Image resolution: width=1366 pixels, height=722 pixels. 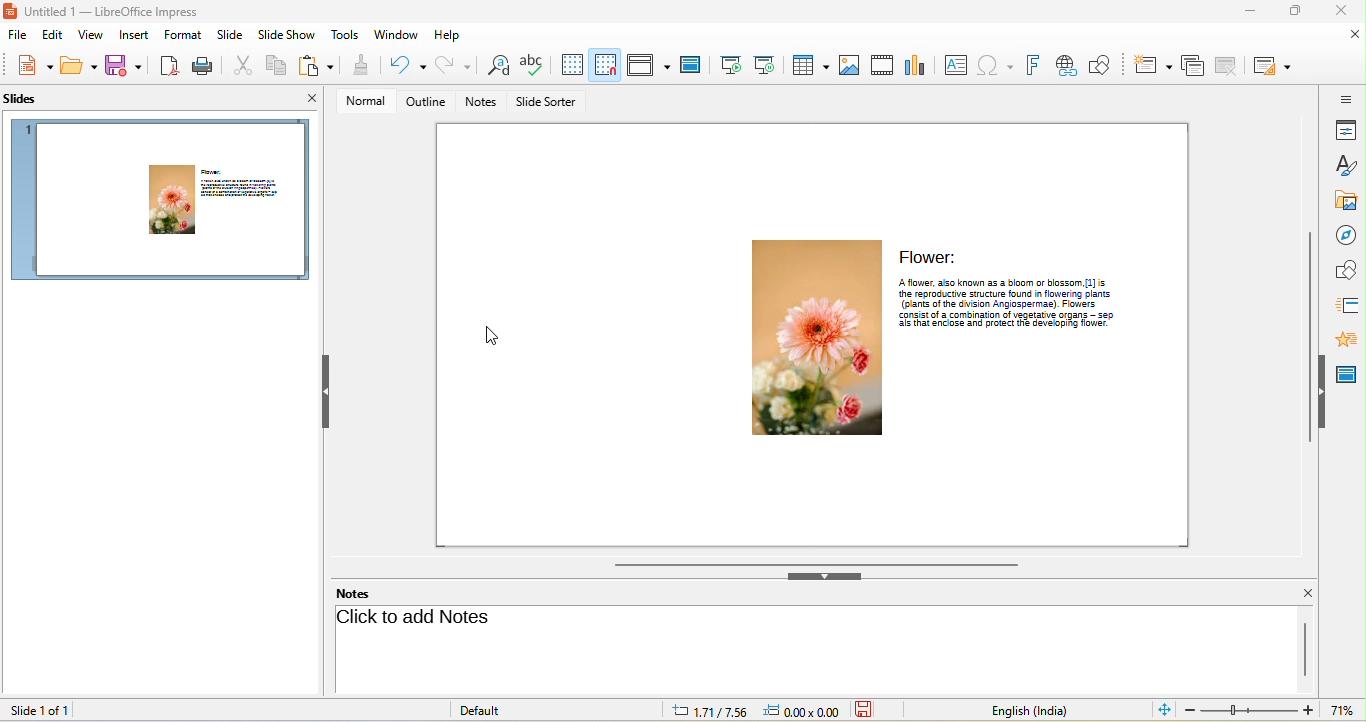 I want to click on view, so click(x=90, y=35).